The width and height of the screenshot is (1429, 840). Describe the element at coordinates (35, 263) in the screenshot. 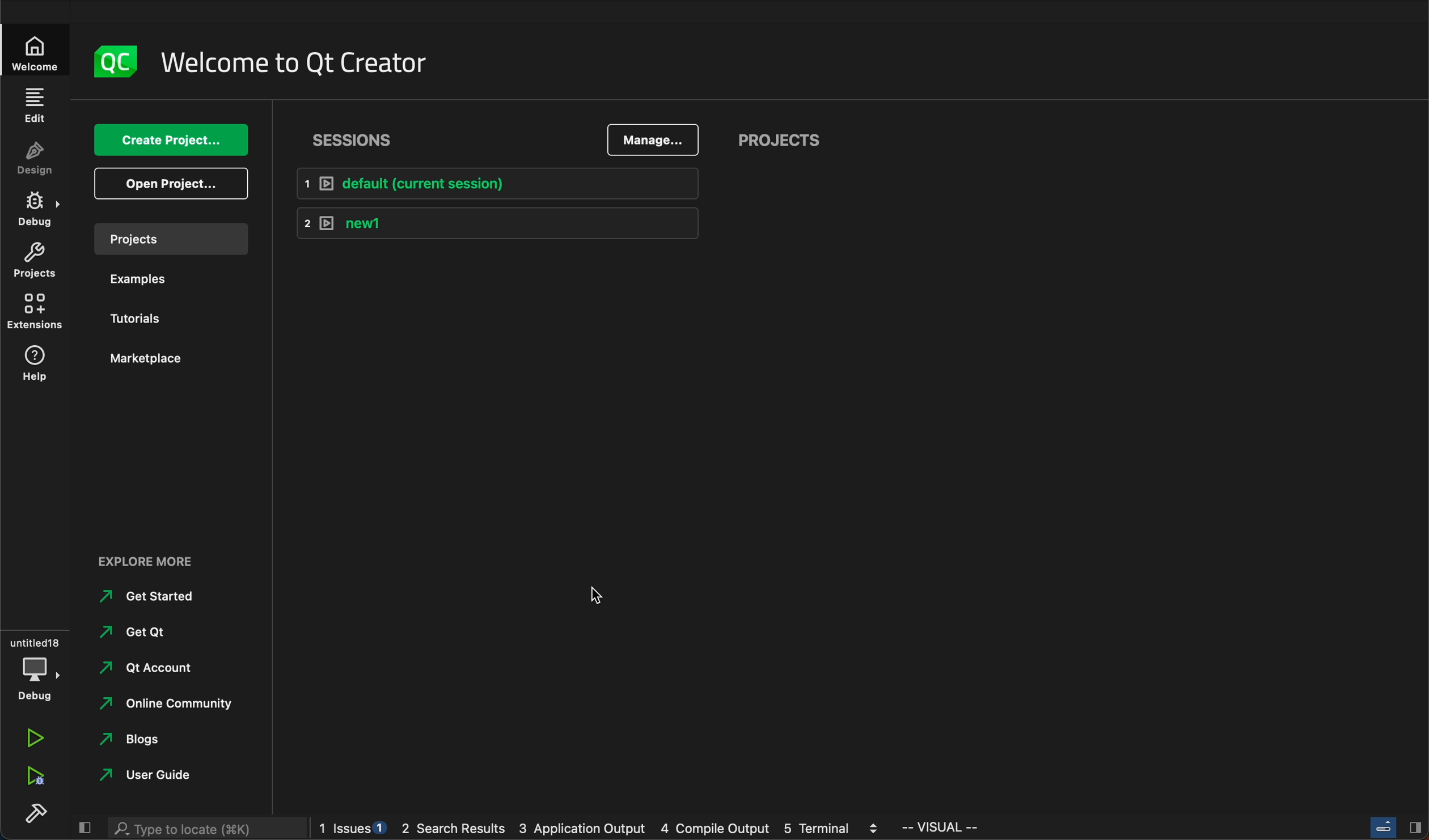

I see `projects` at that location.